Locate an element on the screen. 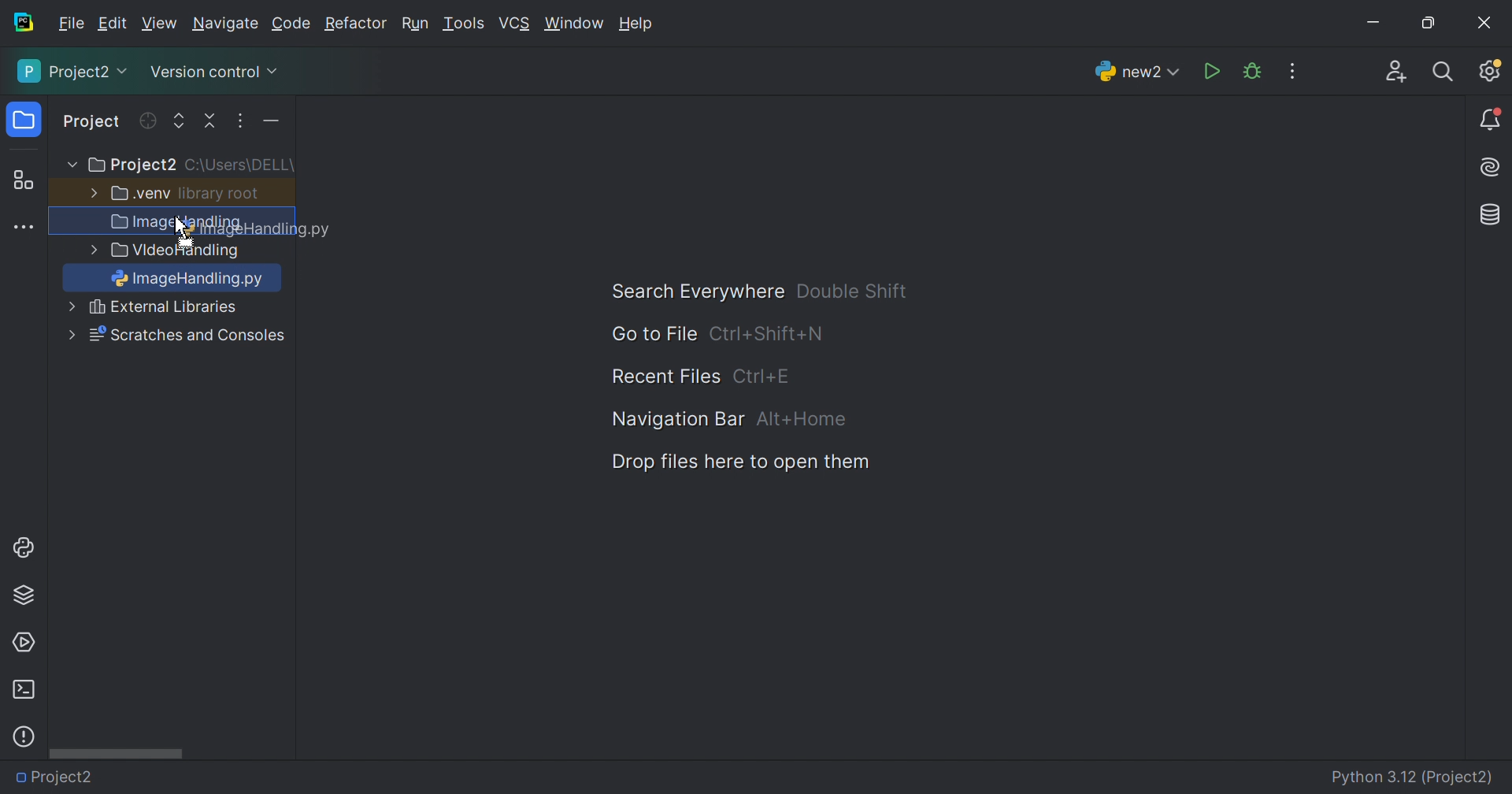 This screenshot has width=1512, height=794. Expand all is located at coordinates (180, 122).